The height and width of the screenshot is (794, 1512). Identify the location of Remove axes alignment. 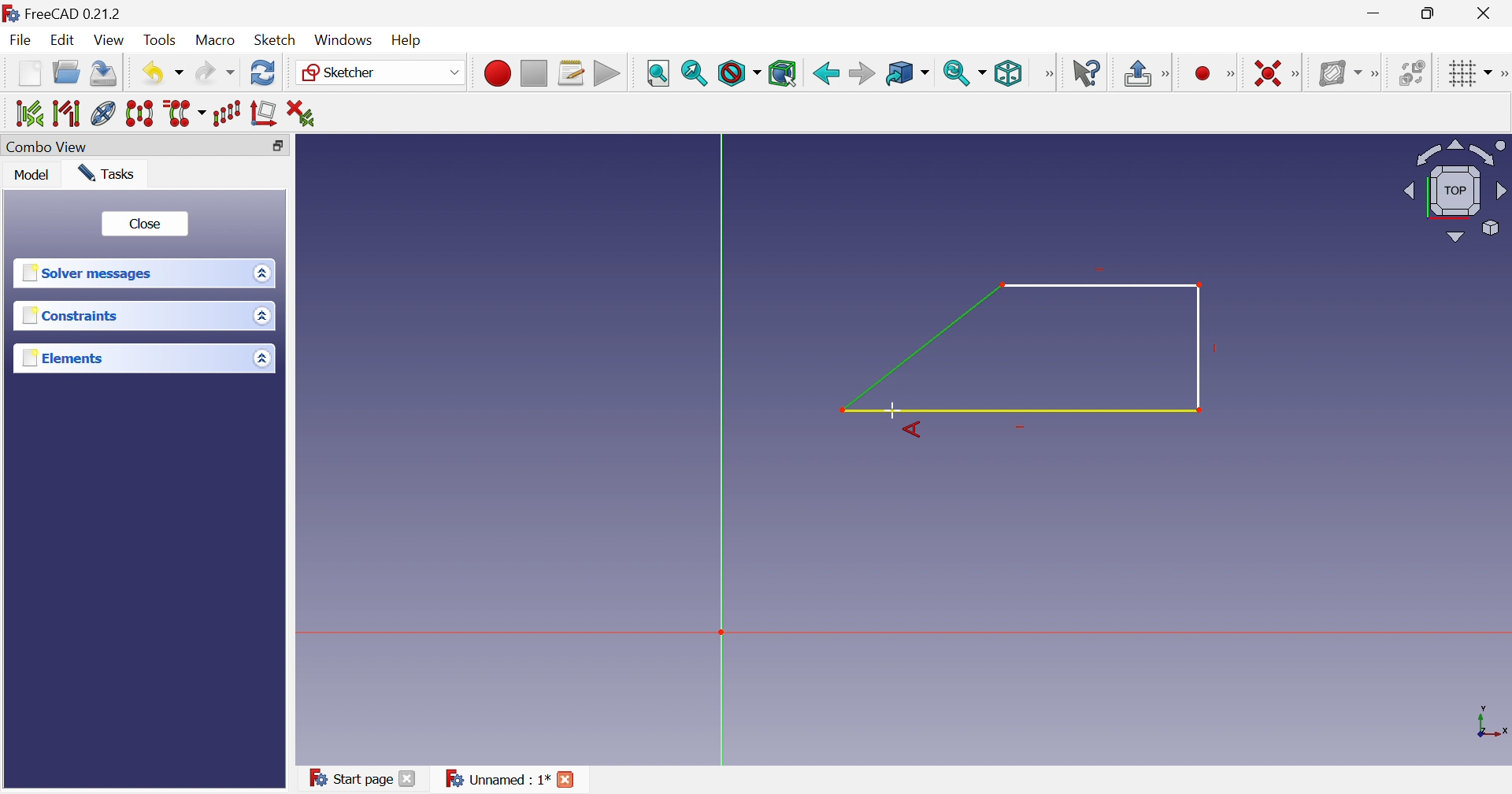
(264, 116).